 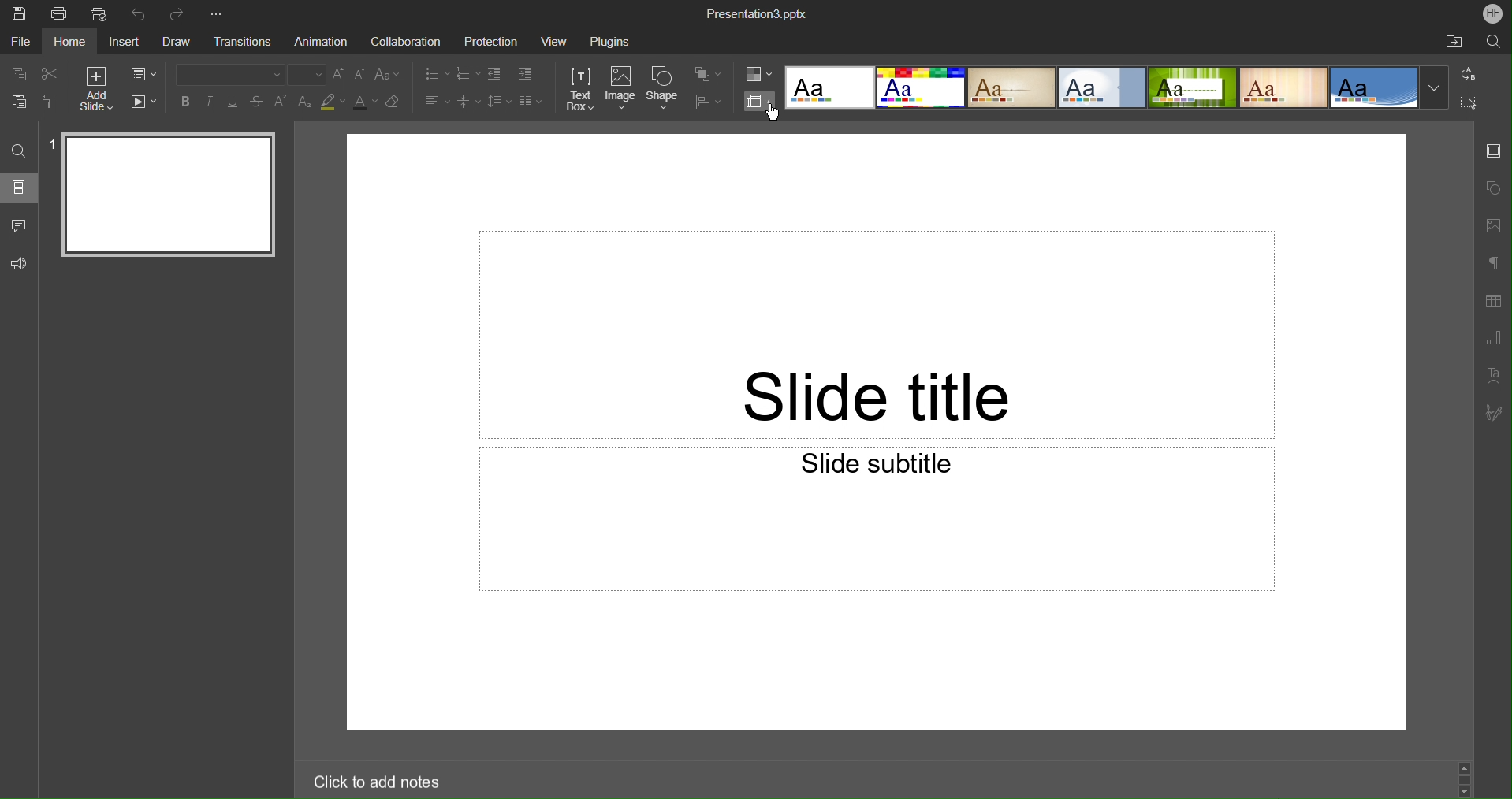 I want to click on Collaboration, so click(x=406, y=43).